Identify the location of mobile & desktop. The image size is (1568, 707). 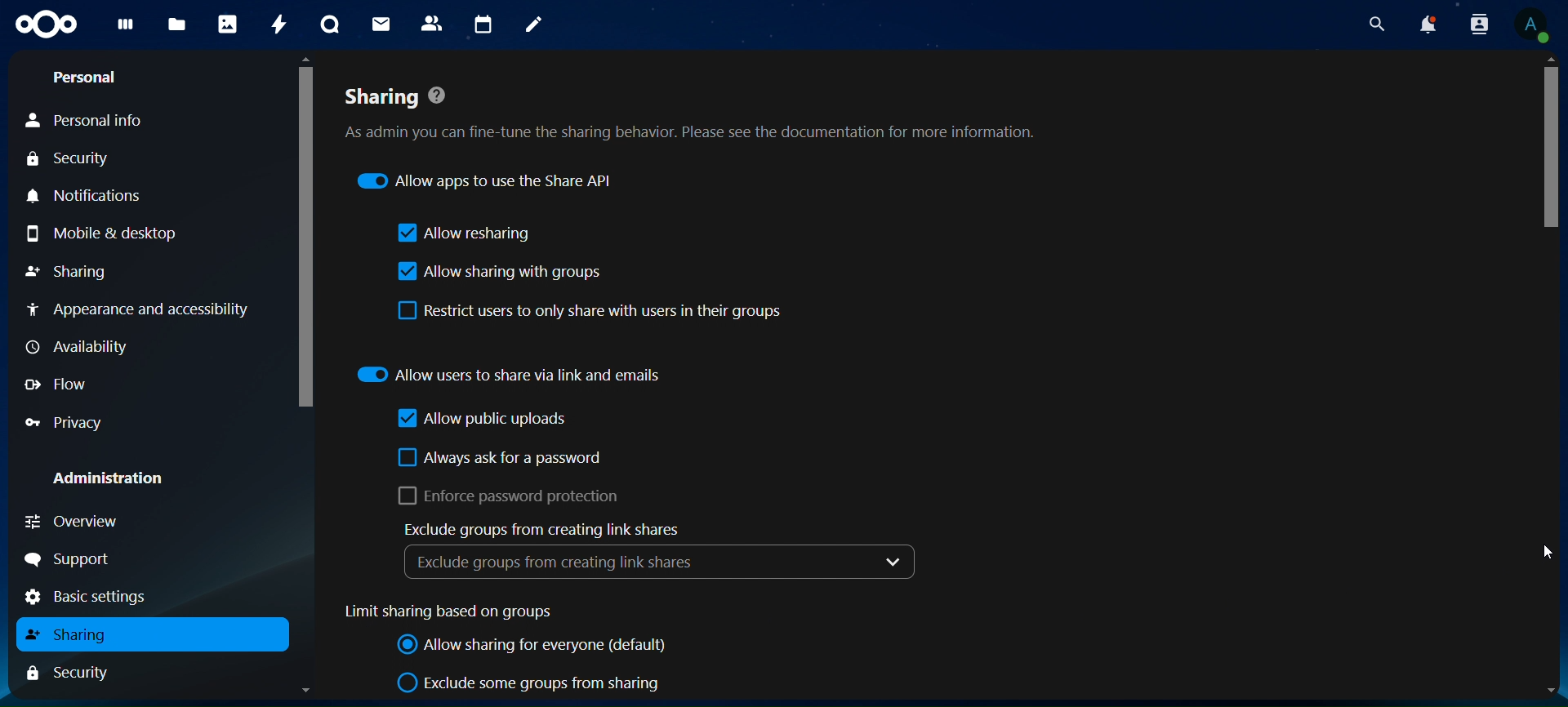
(103, 235).